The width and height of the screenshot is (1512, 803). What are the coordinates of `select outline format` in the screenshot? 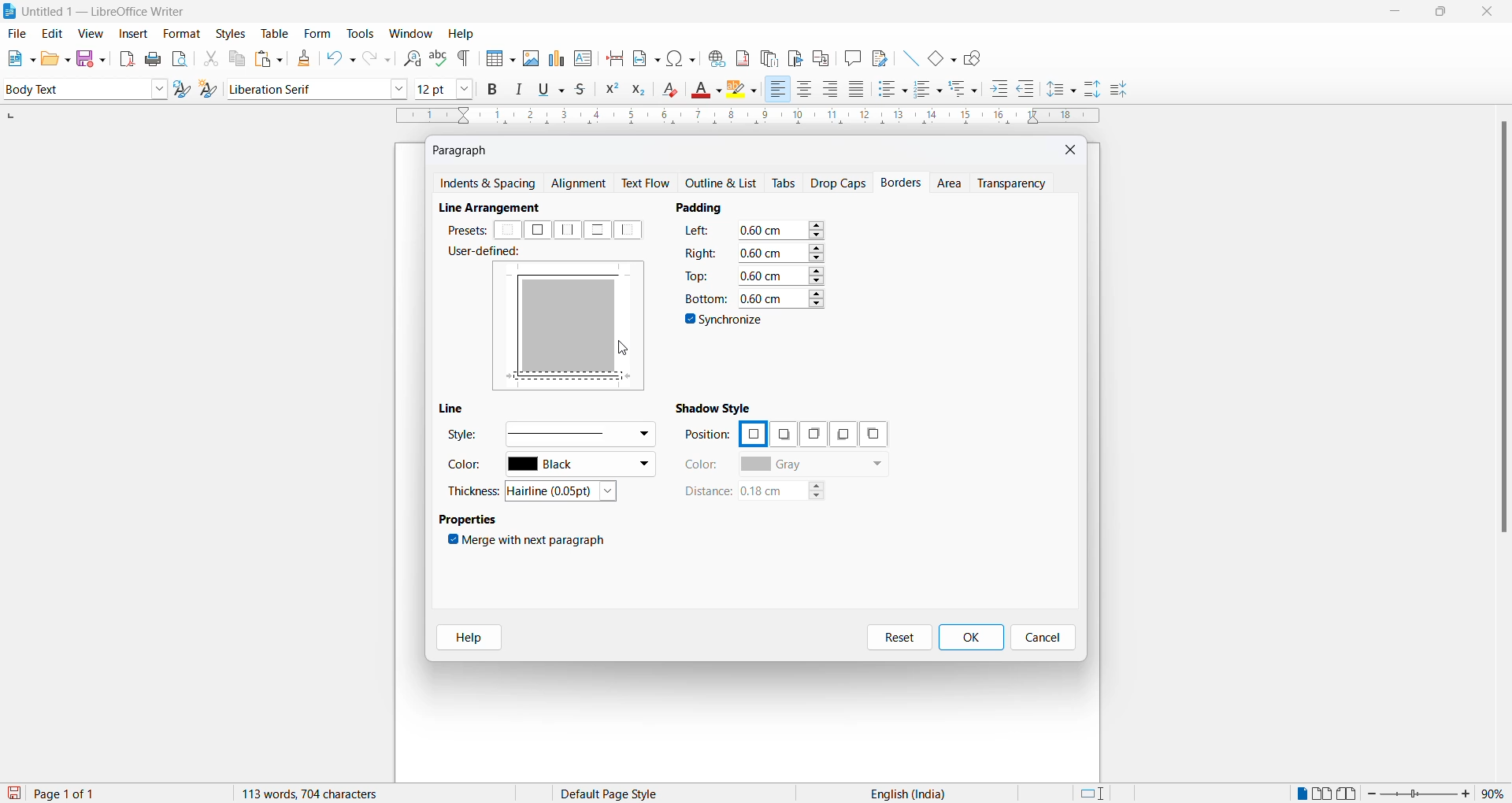 It's located at (969, 88).